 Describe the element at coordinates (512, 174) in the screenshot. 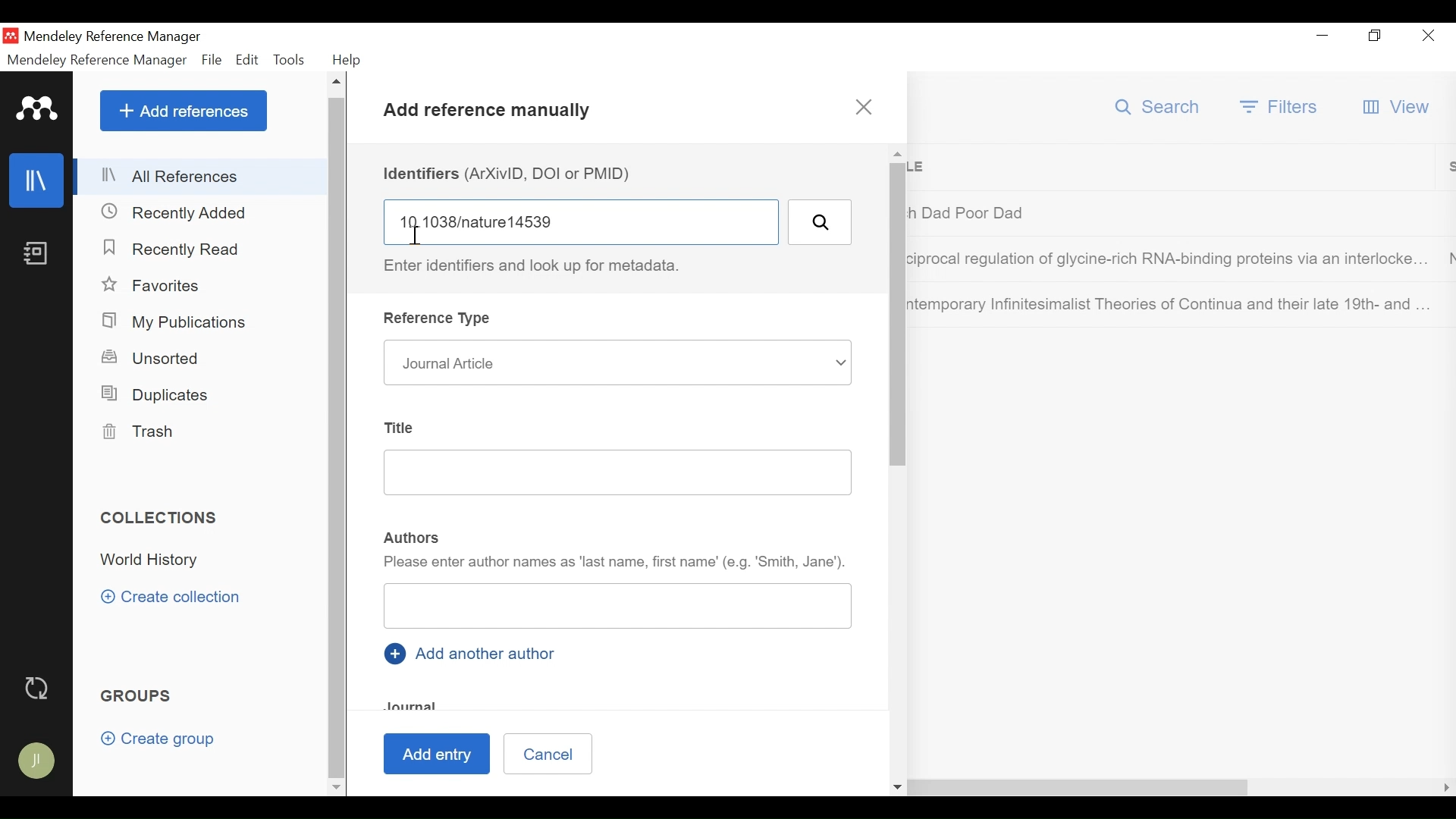

I see `Identifiers (DOI ArXivID or PMID)` at that location.